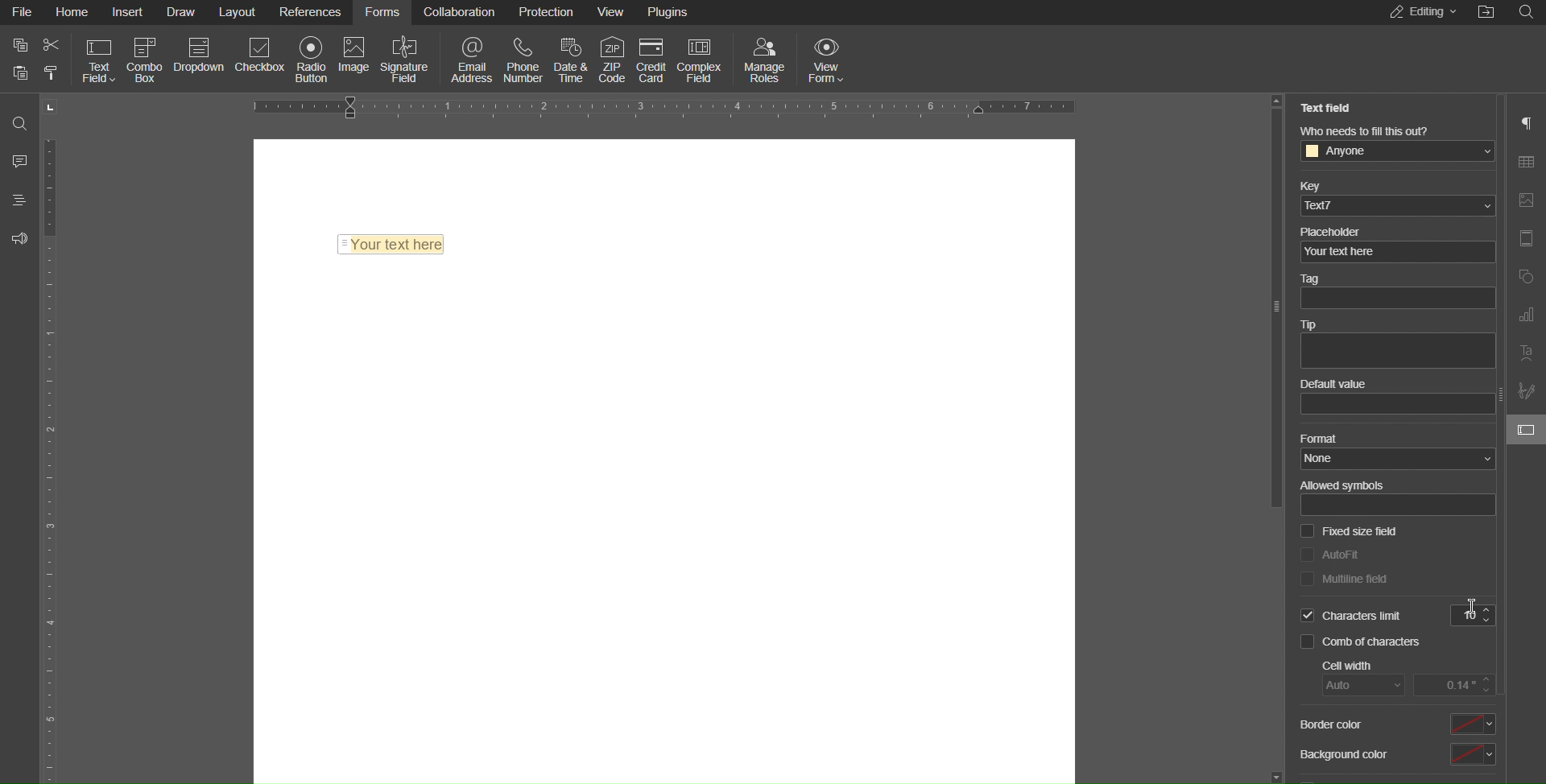 Image resolution: width=1546 pixels, height=784 pixels. I want to click on Combo Box, so click(145, 58).